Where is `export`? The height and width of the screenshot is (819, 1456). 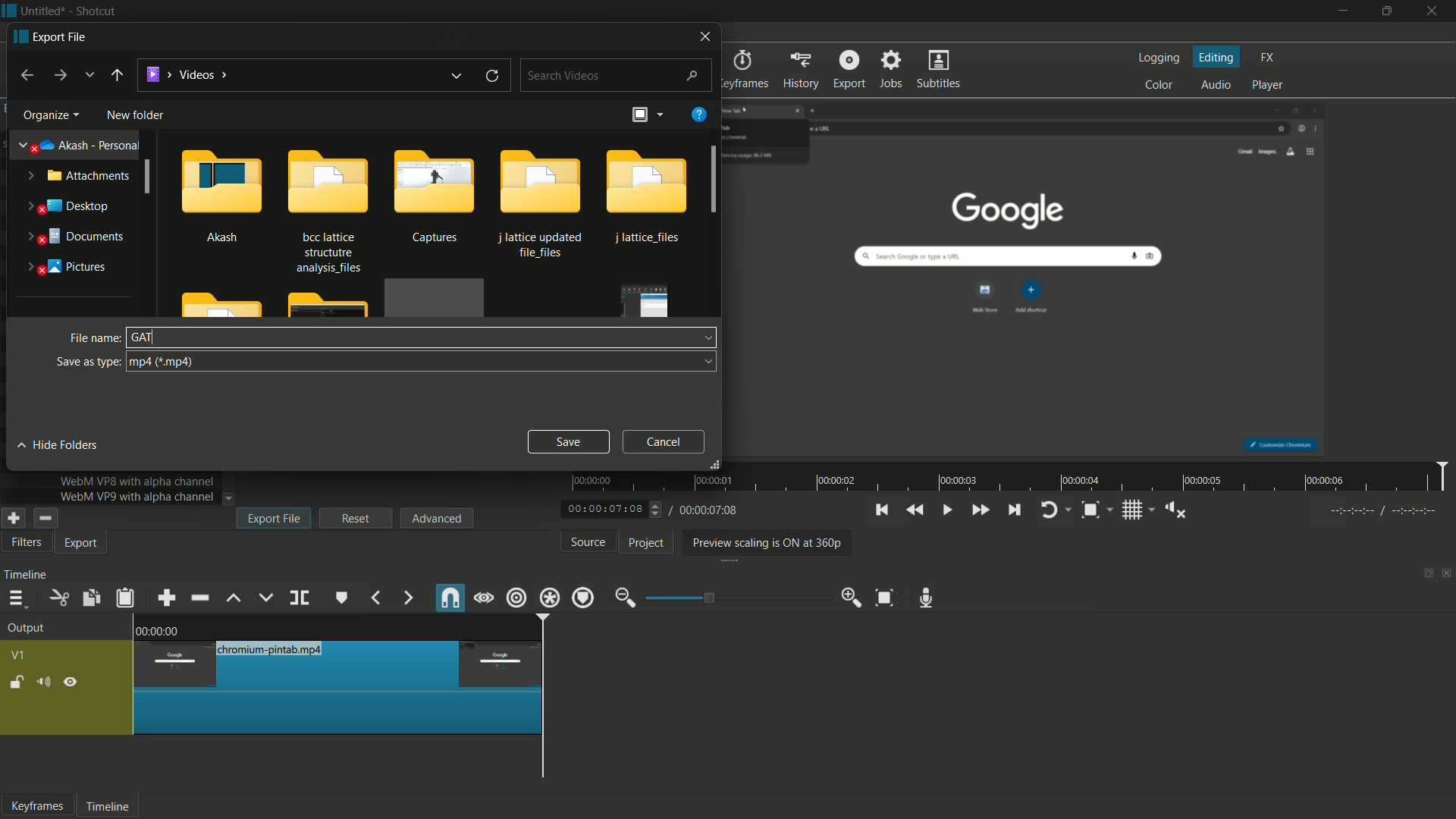 export is located at coordinates (83, 544).